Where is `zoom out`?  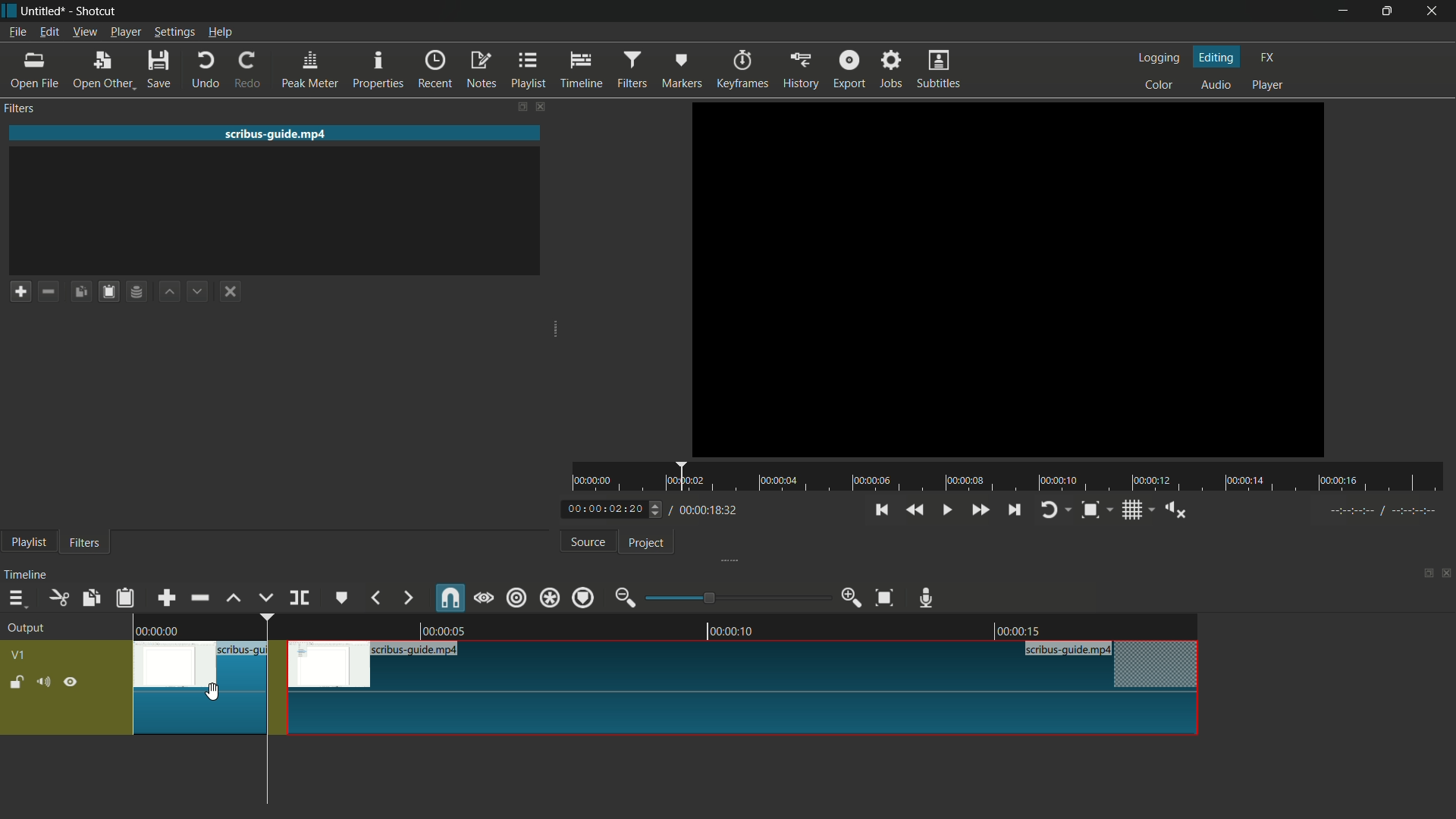
zoom out is located at coordinates (624, 597).